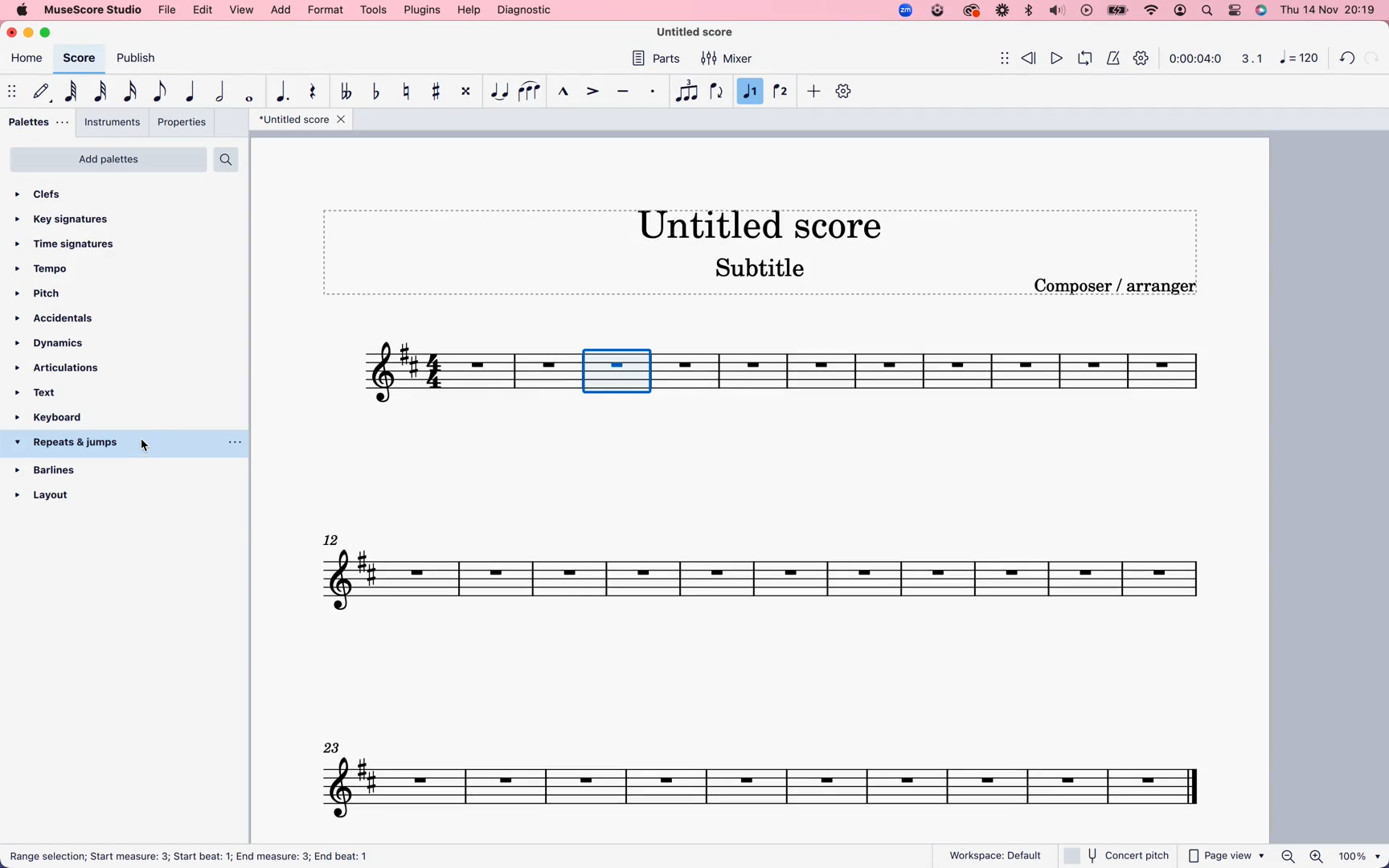 This screenshot has width=1389, height=868. I want to click on view, so click(243, 10).